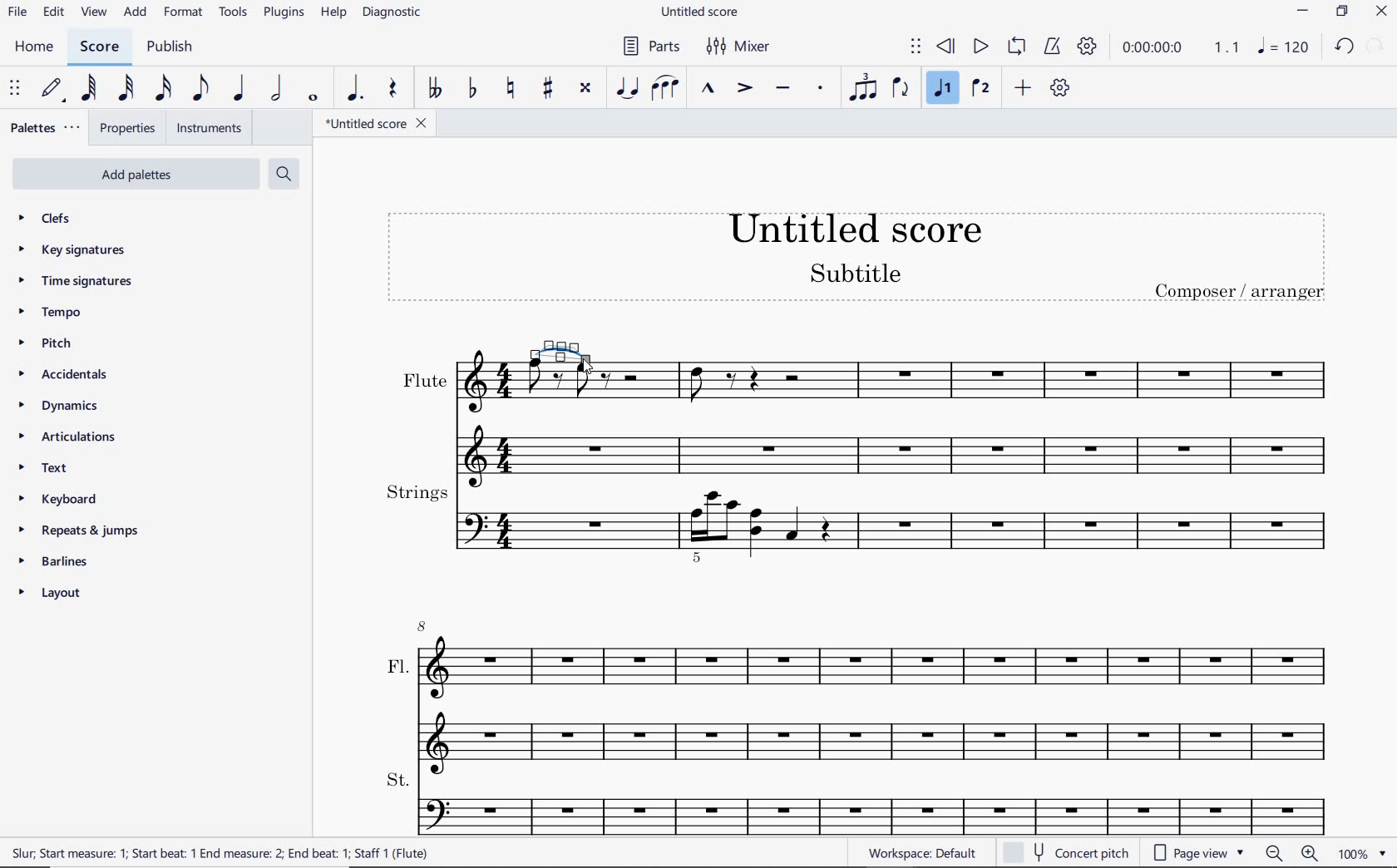  Describe the element at coordinates (915, 46) in the screenshot. I see `SELECT TO MOVE` at that location.